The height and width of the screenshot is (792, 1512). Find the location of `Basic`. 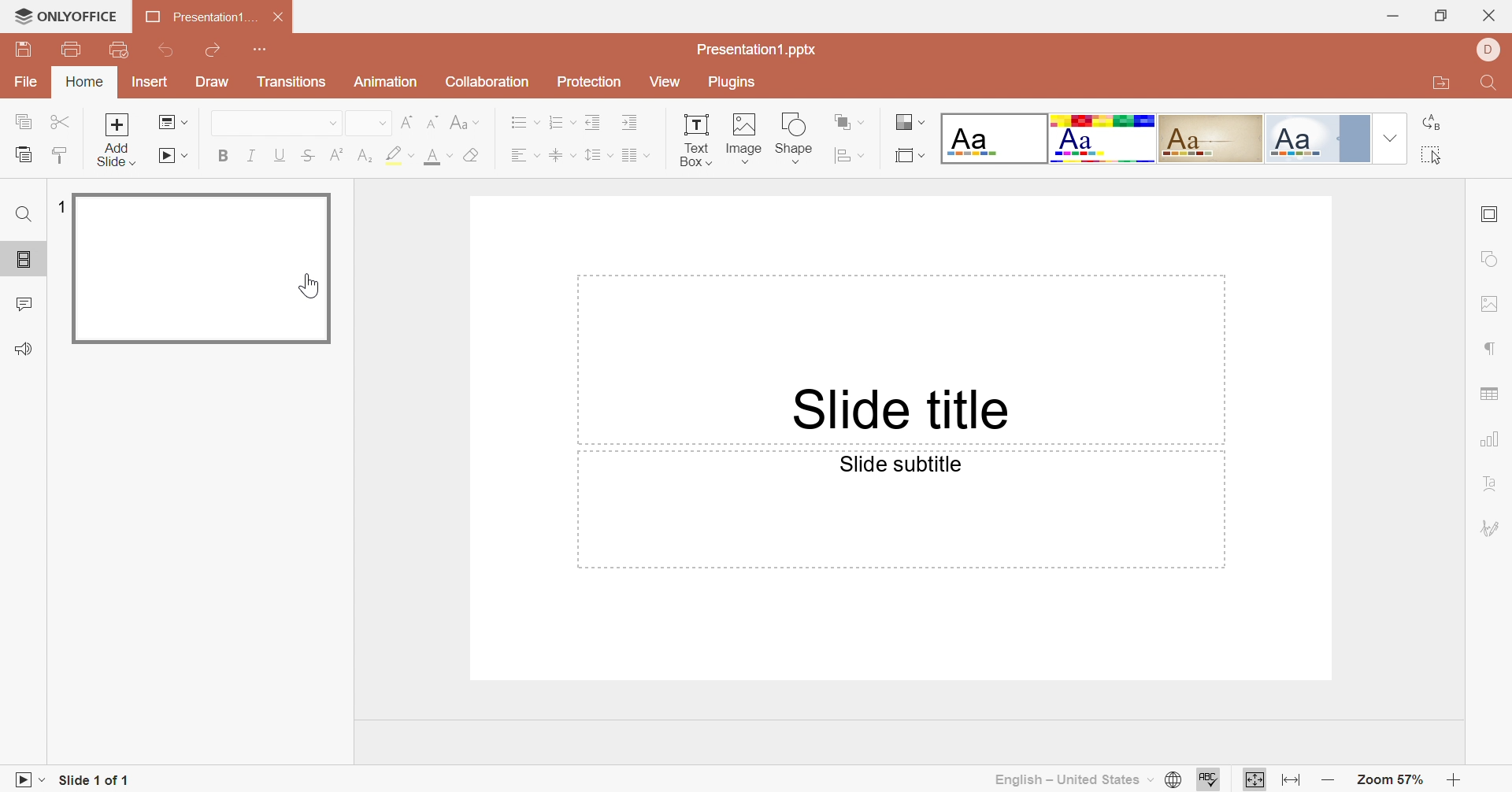

Basic is located at coordinates (1103, 138).